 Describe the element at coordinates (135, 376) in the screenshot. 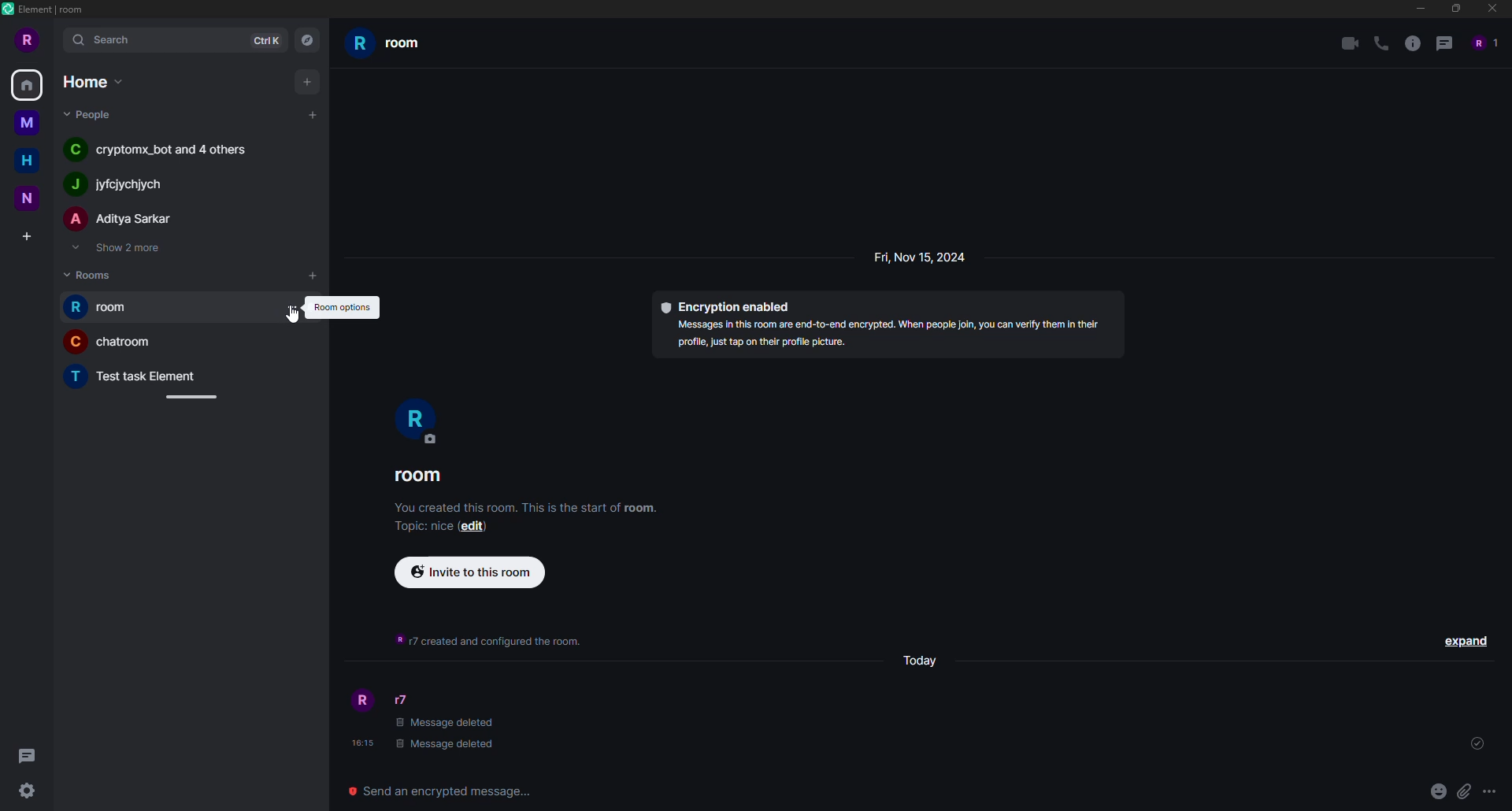

I see `T Test task Element` at that location.